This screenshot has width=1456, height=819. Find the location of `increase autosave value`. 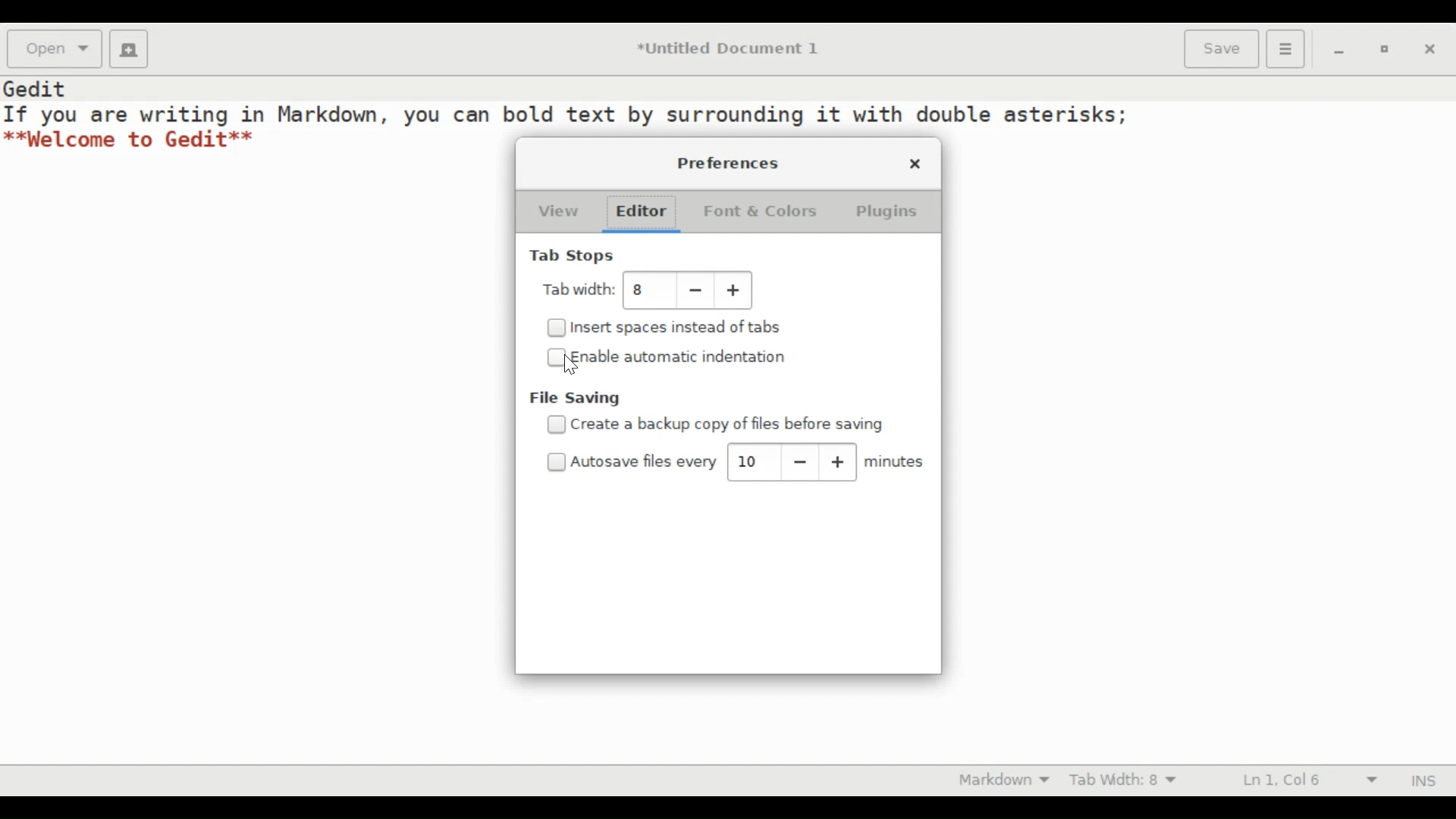

increase autosave value is located at coordinates (837, 462).